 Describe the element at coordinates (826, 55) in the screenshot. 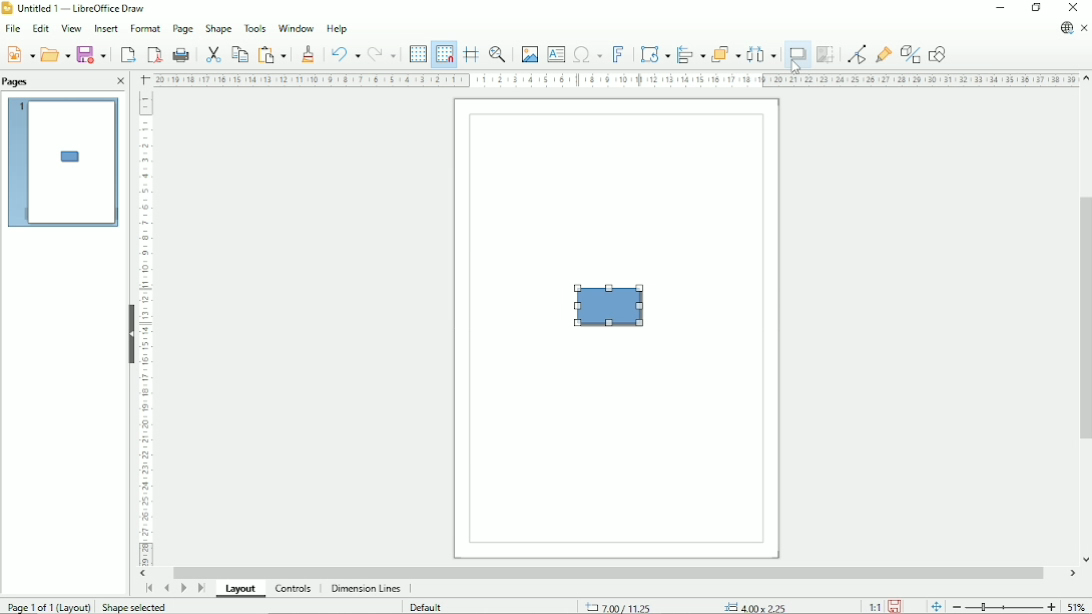

I see `Crop image` at that location.